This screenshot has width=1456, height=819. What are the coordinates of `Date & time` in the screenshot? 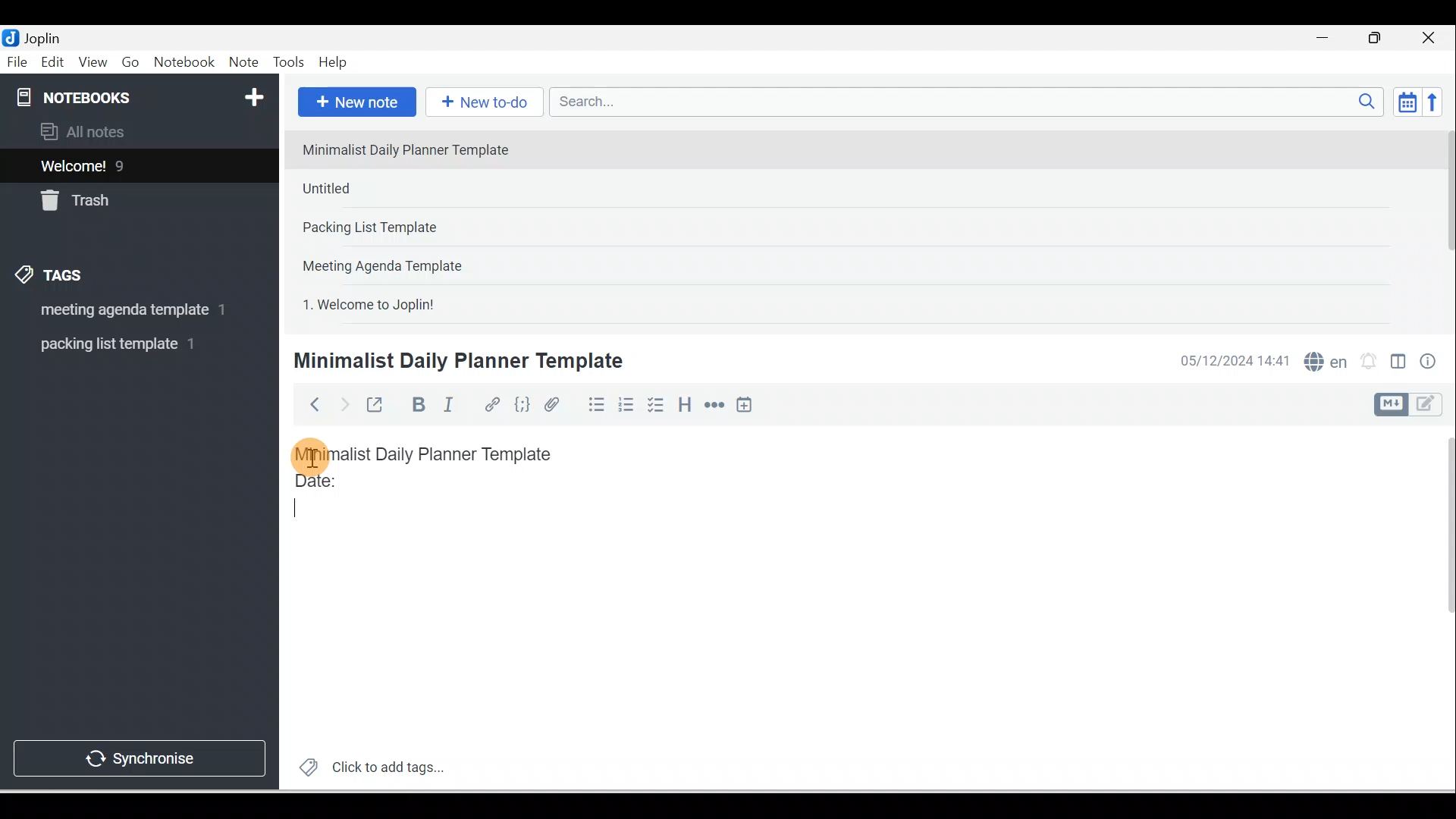 It's located at (1232, 361).